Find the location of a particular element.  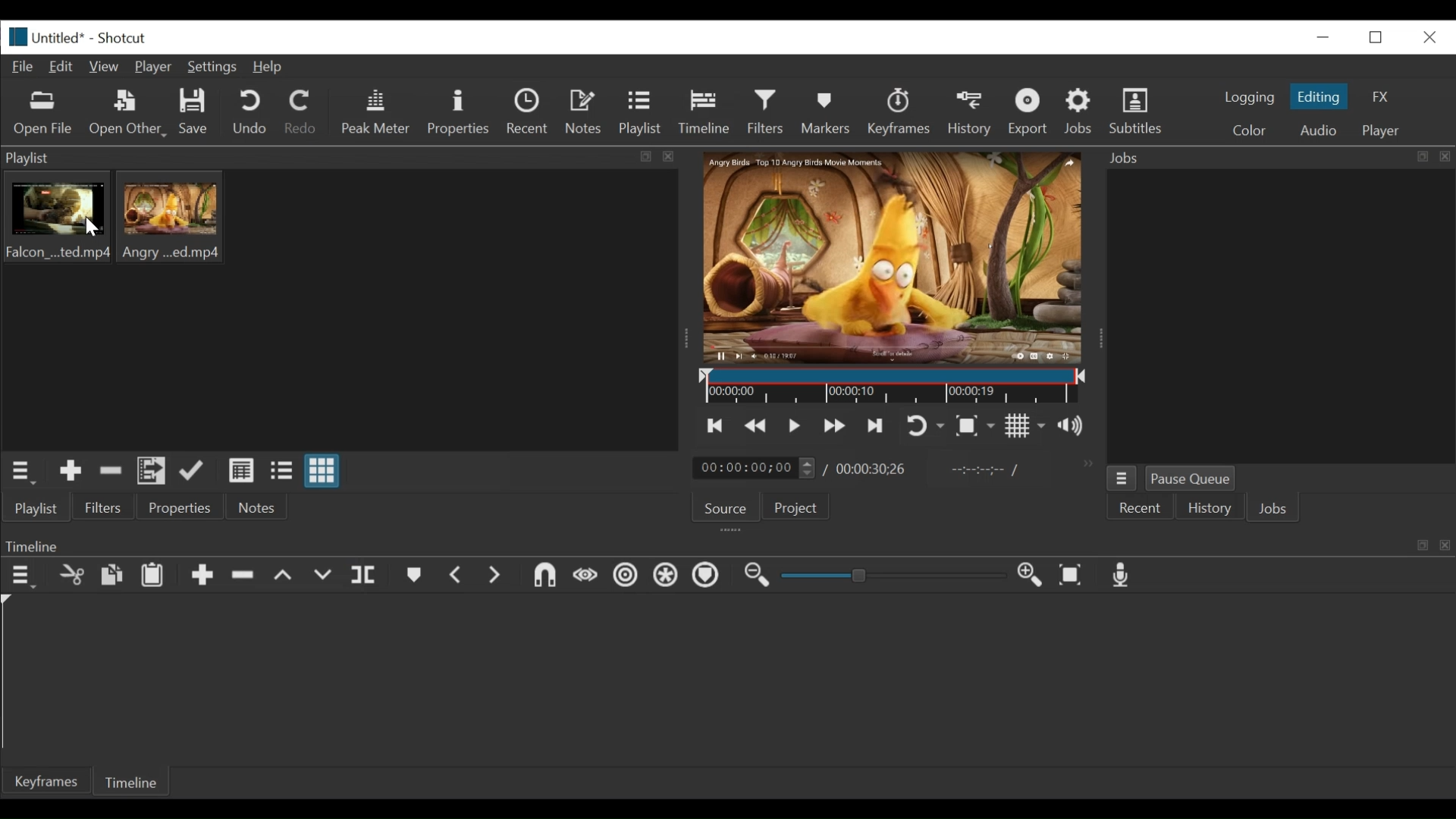

Timeline is located at coordinates (708, 109).